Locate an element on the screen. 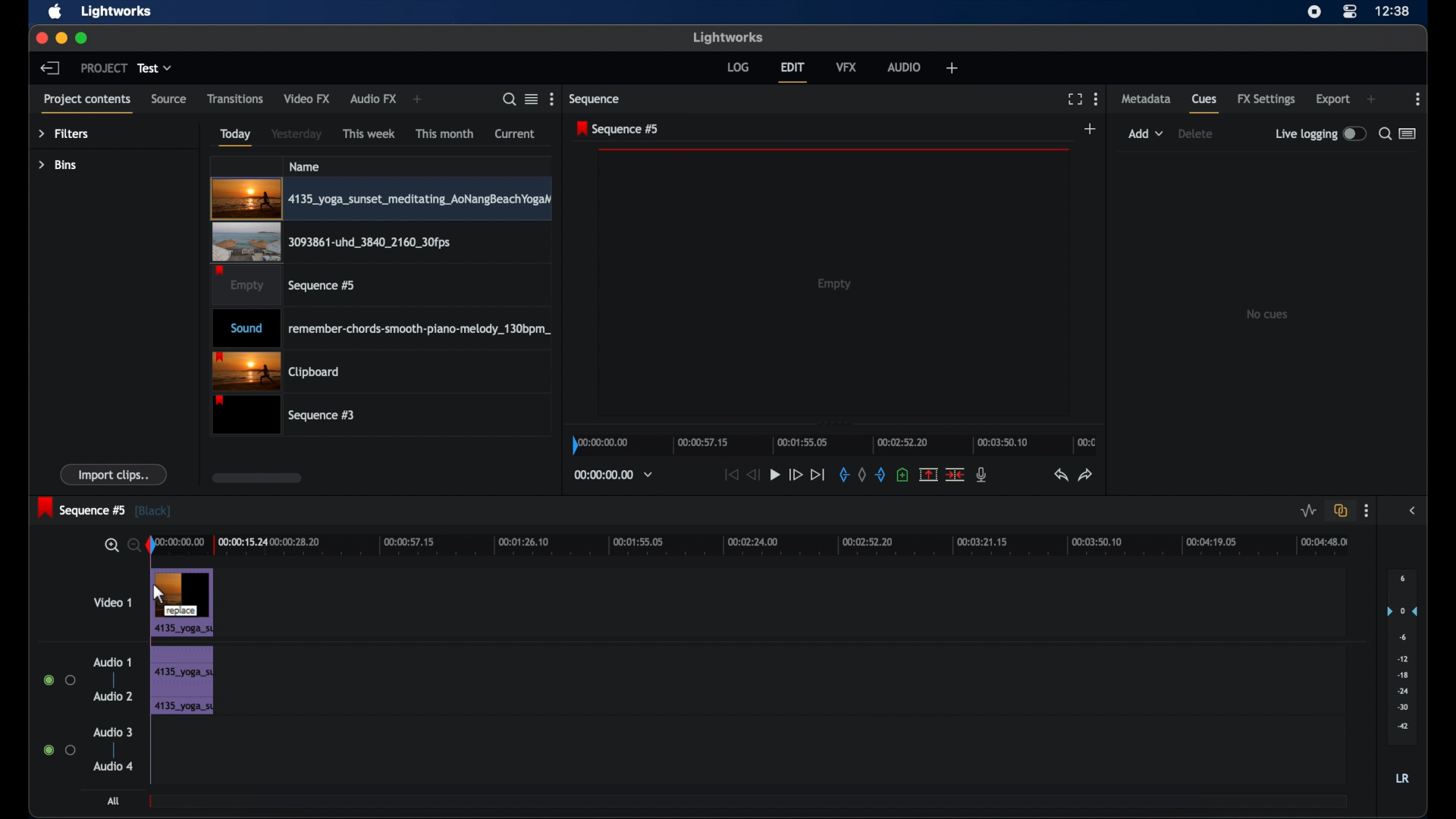  audio 2 is located at coordinates (112, 696).